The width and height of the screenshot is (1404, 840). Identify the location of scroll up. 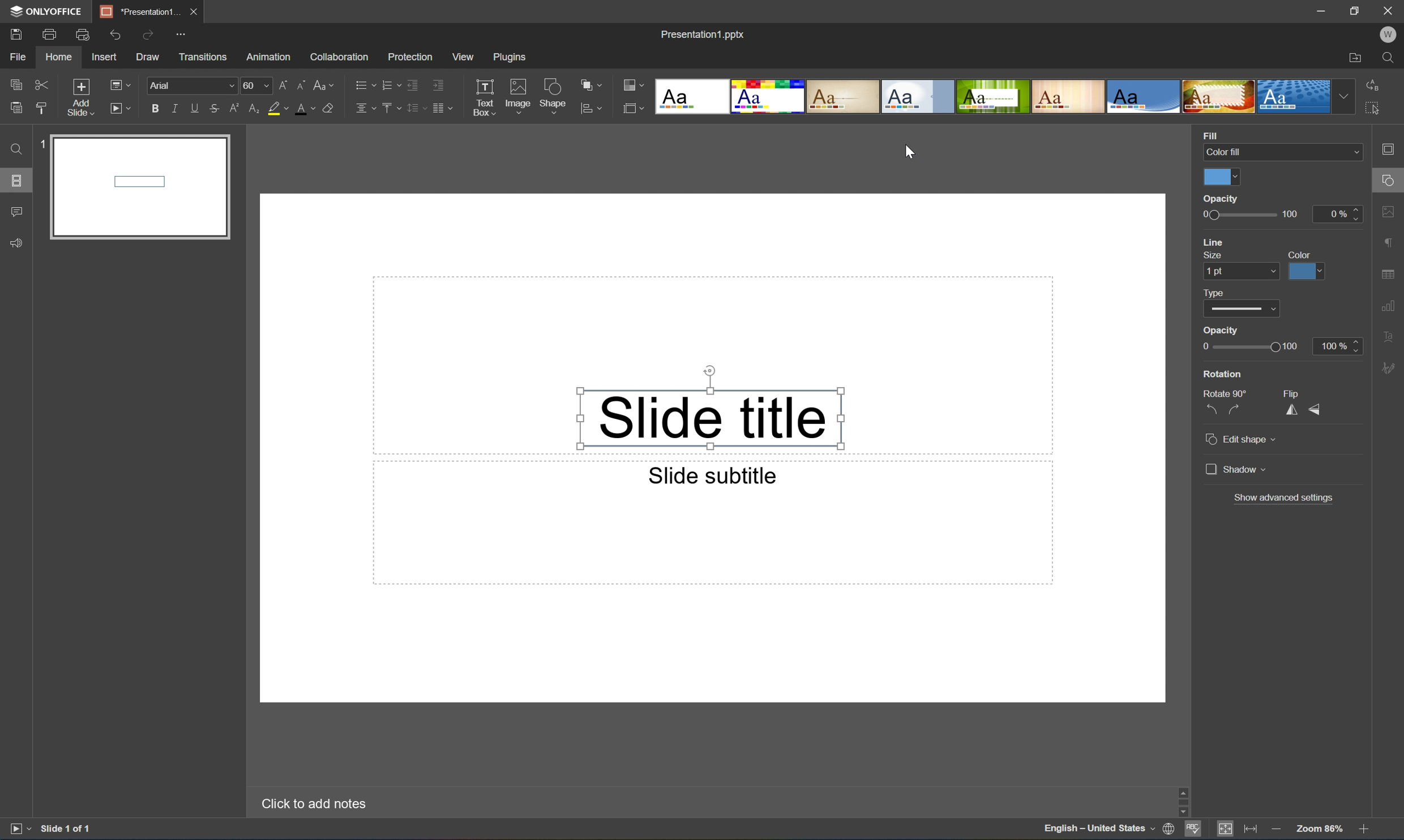
(1362, 790).